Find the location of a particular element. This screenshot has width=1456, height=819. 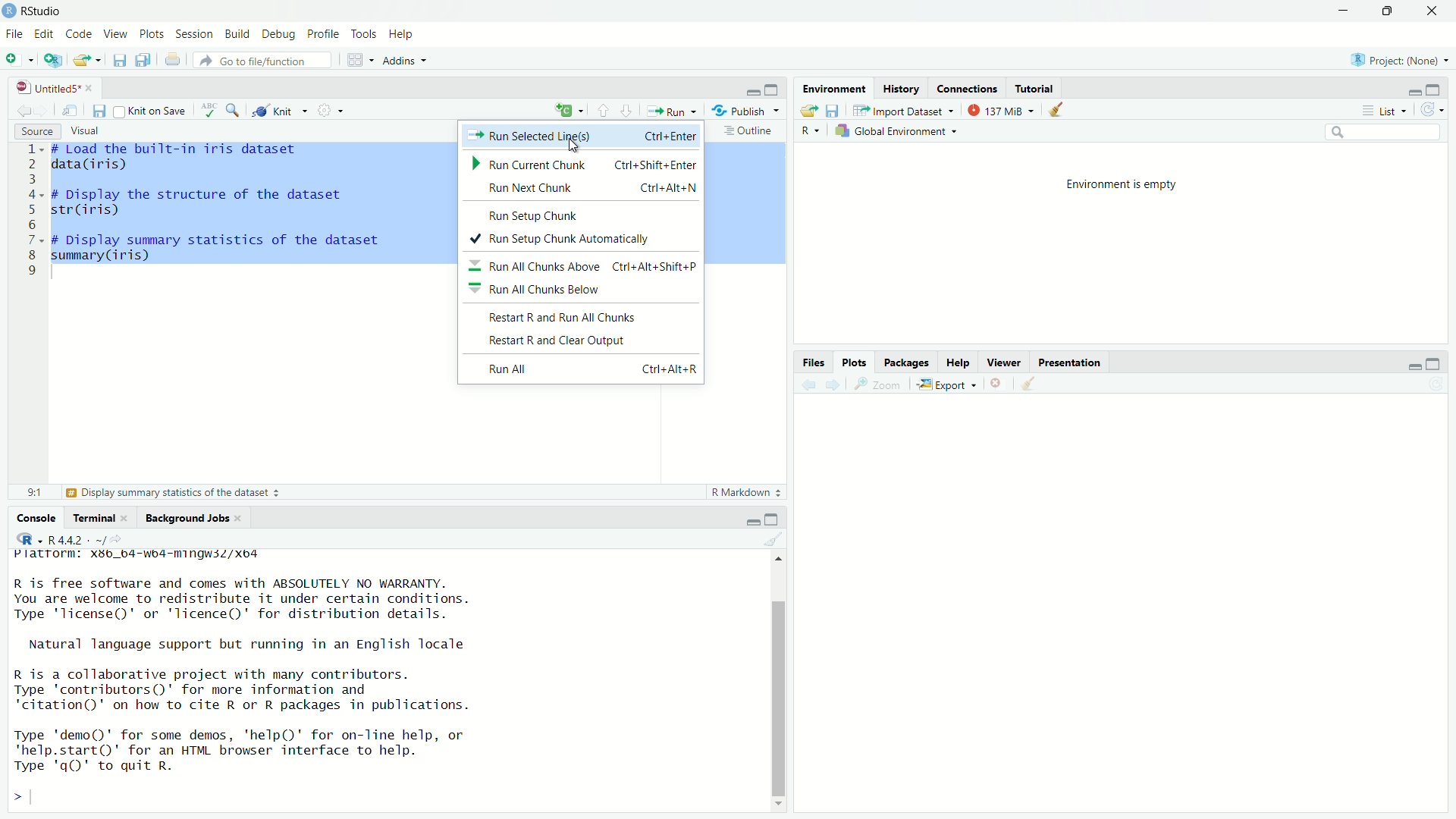

Workspace panes is located at coordinates (359, 60).